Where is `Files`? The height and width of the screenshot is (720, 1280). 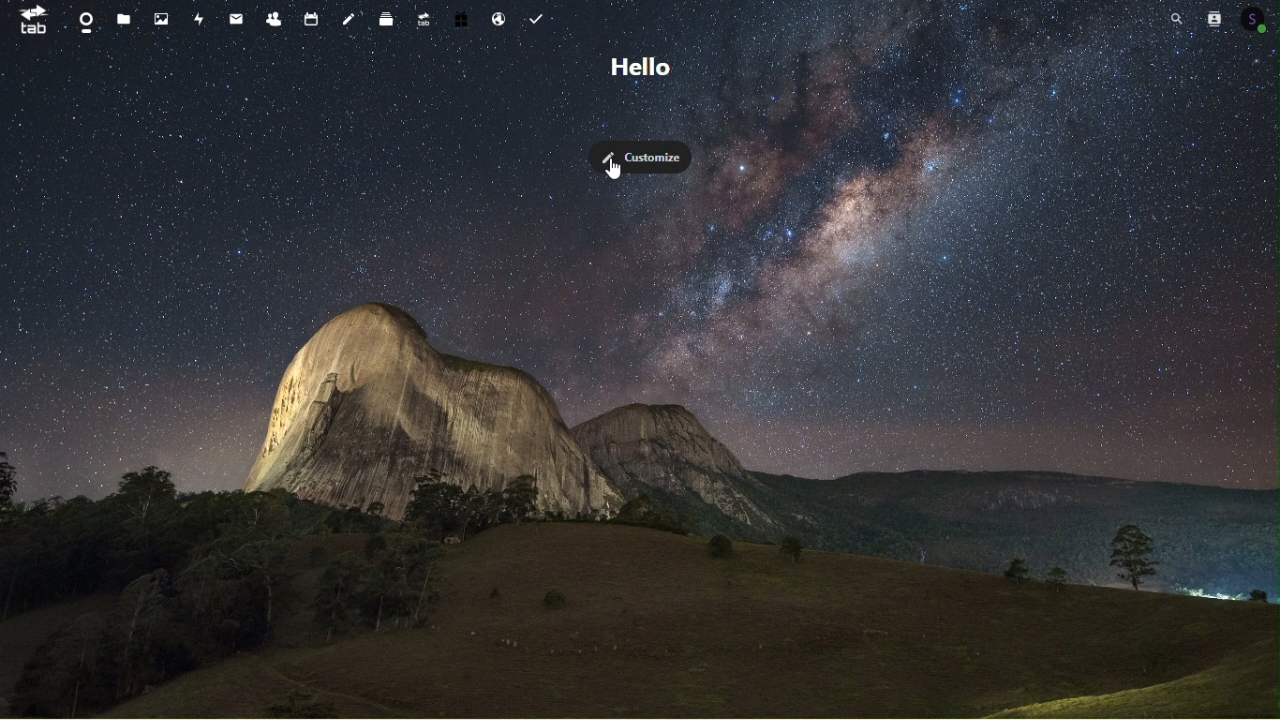
Files is located at coordinates (123, 18).